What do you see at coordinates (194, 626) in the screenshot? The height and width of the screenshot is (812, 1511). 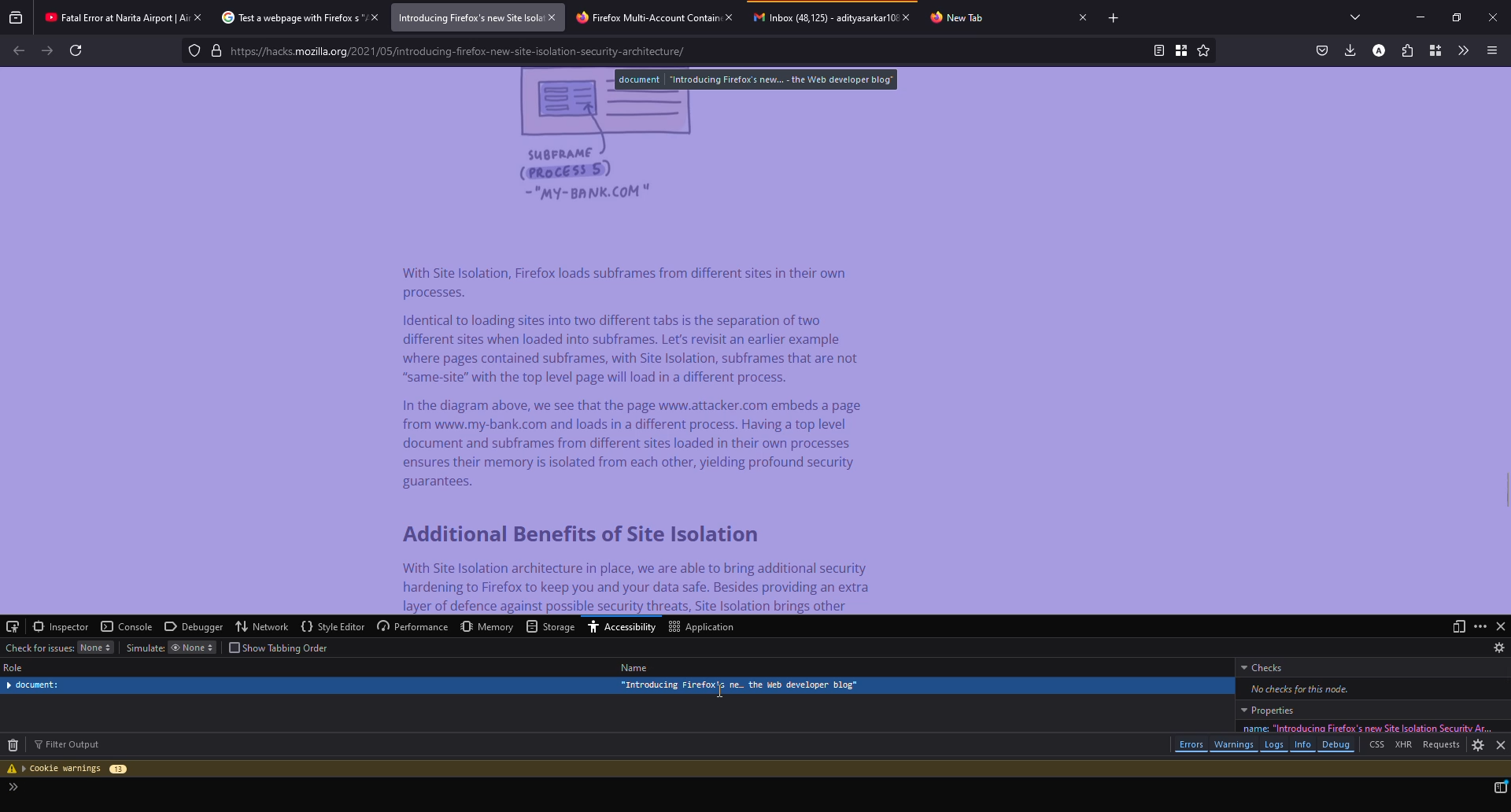 I see `debugger` at bounding box center [194, 626].